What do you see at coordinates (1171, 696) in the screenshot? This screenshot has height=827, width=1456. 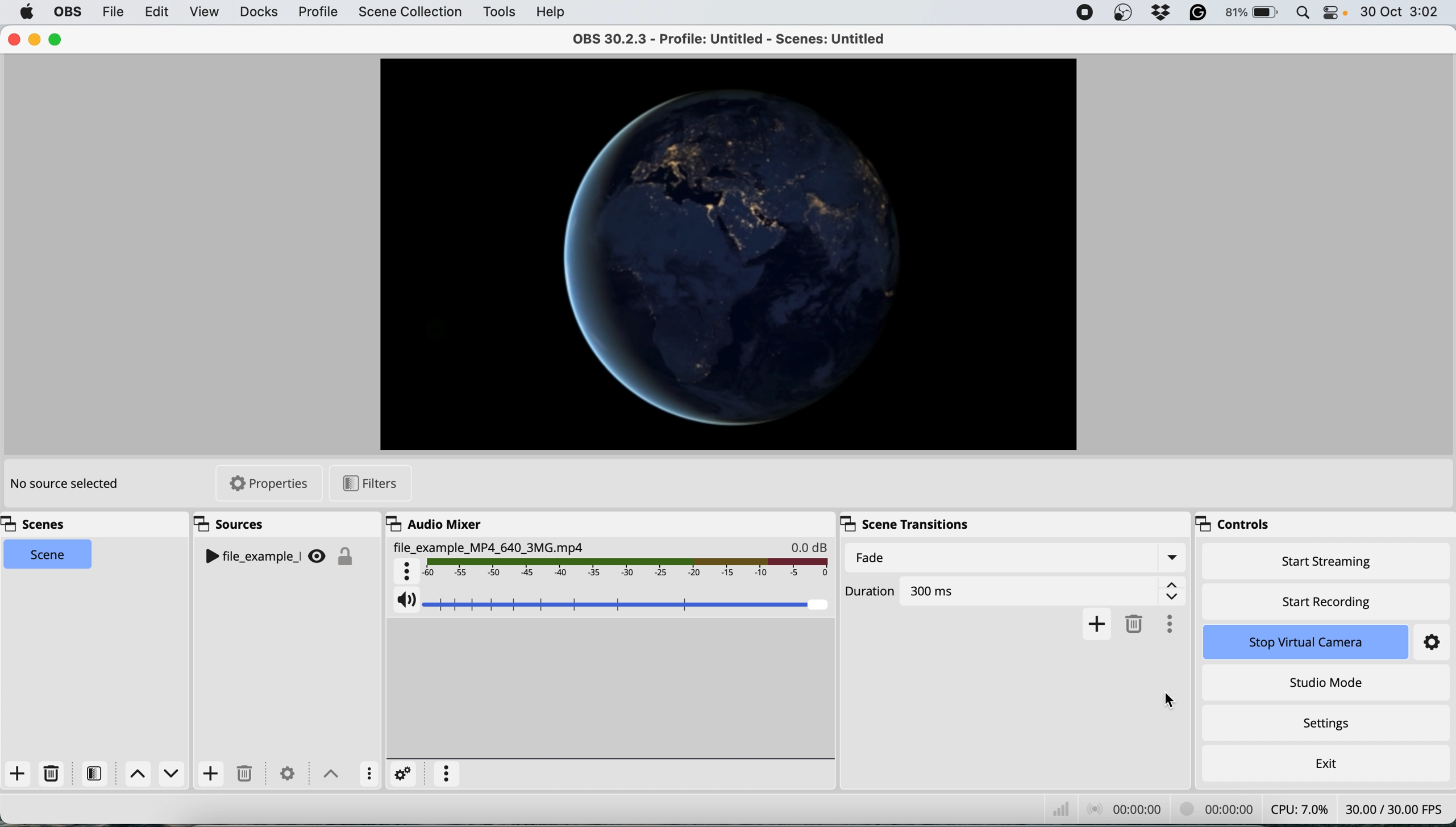 I see `cursor` at bounding box center [1171, 696].